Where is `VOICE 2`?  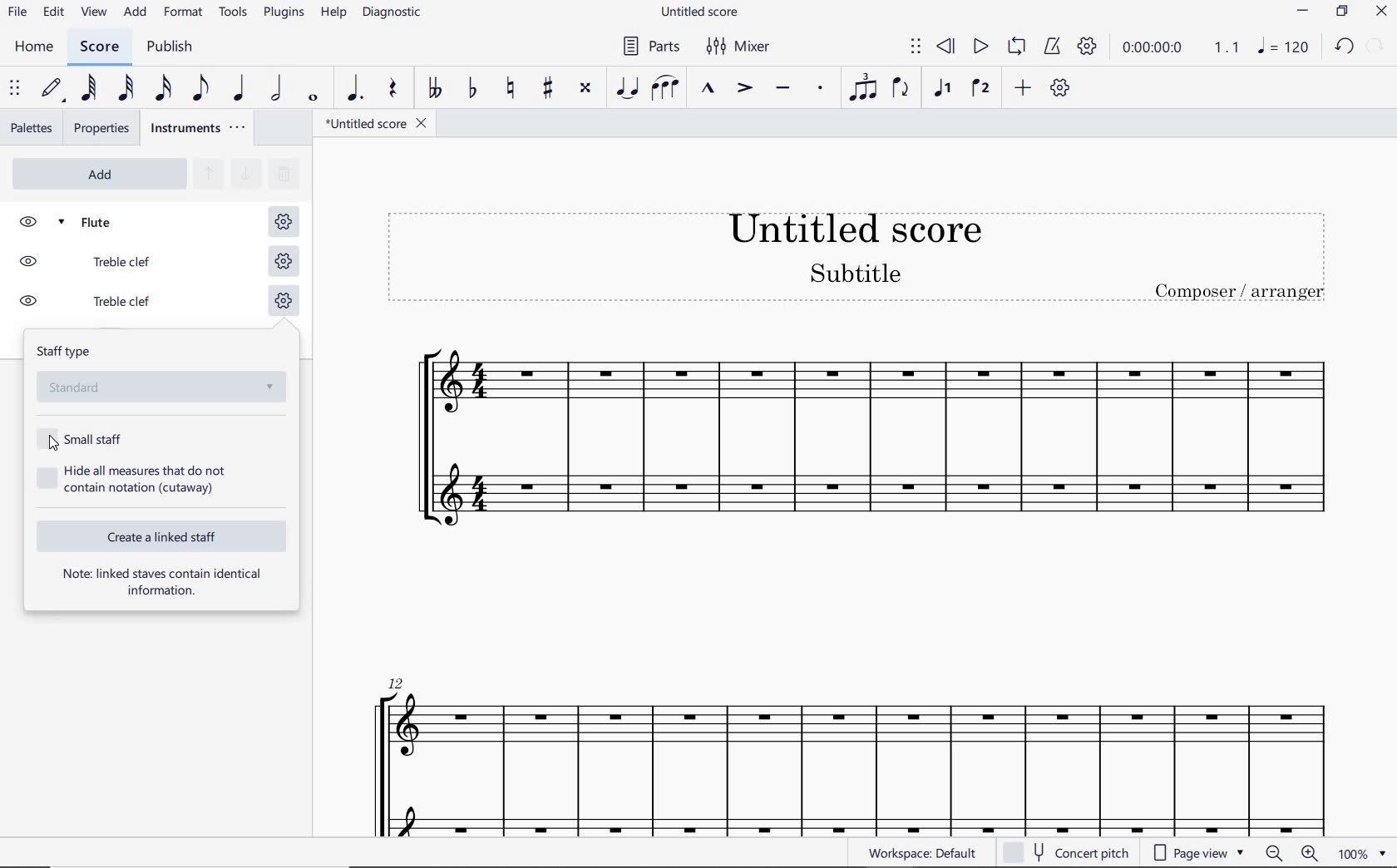
VOICE 2 is located at coordinates (980, 89).